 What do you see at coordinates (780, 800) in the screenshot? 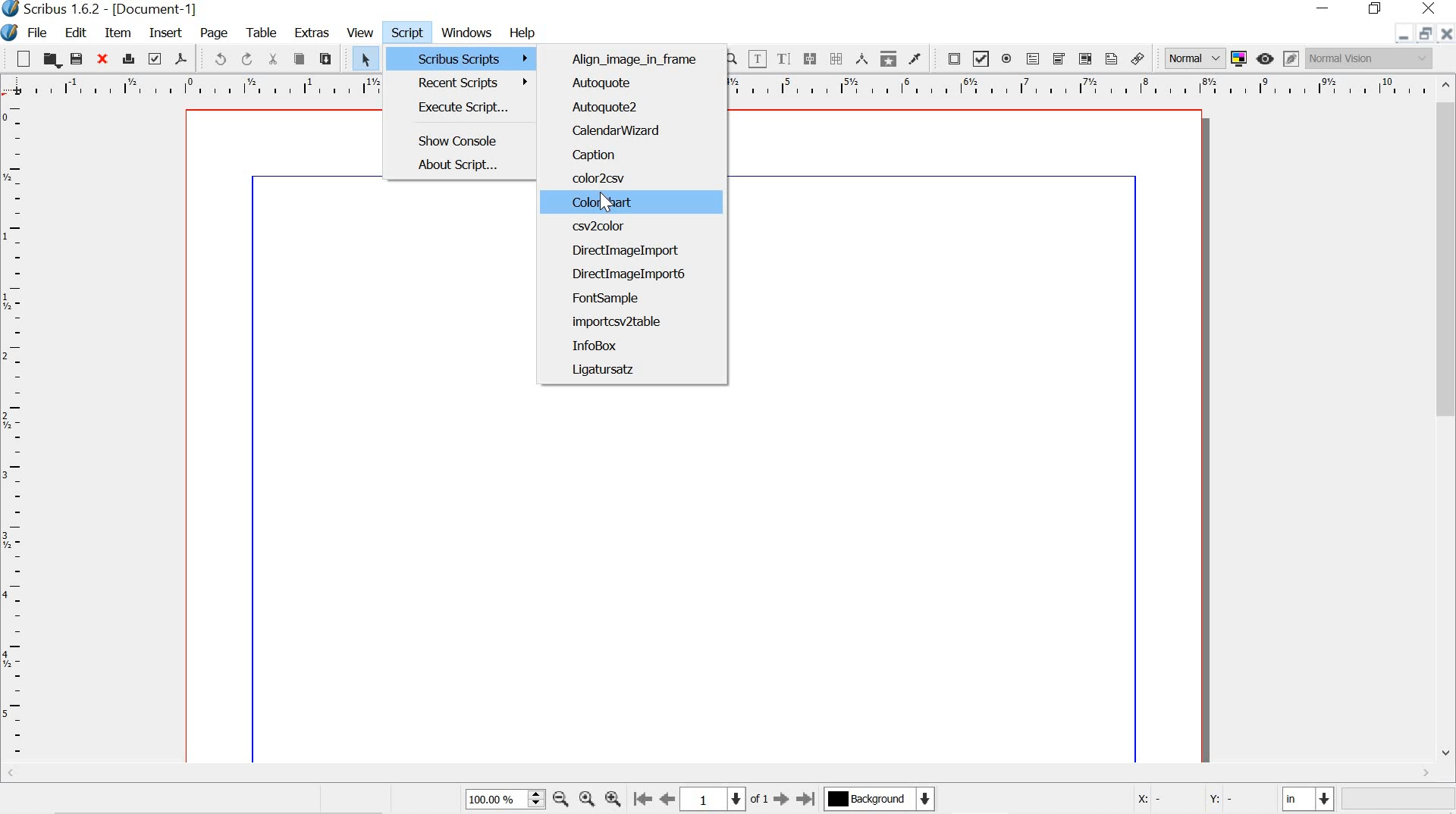
I see `Next page` at bounding box center [780, 800].